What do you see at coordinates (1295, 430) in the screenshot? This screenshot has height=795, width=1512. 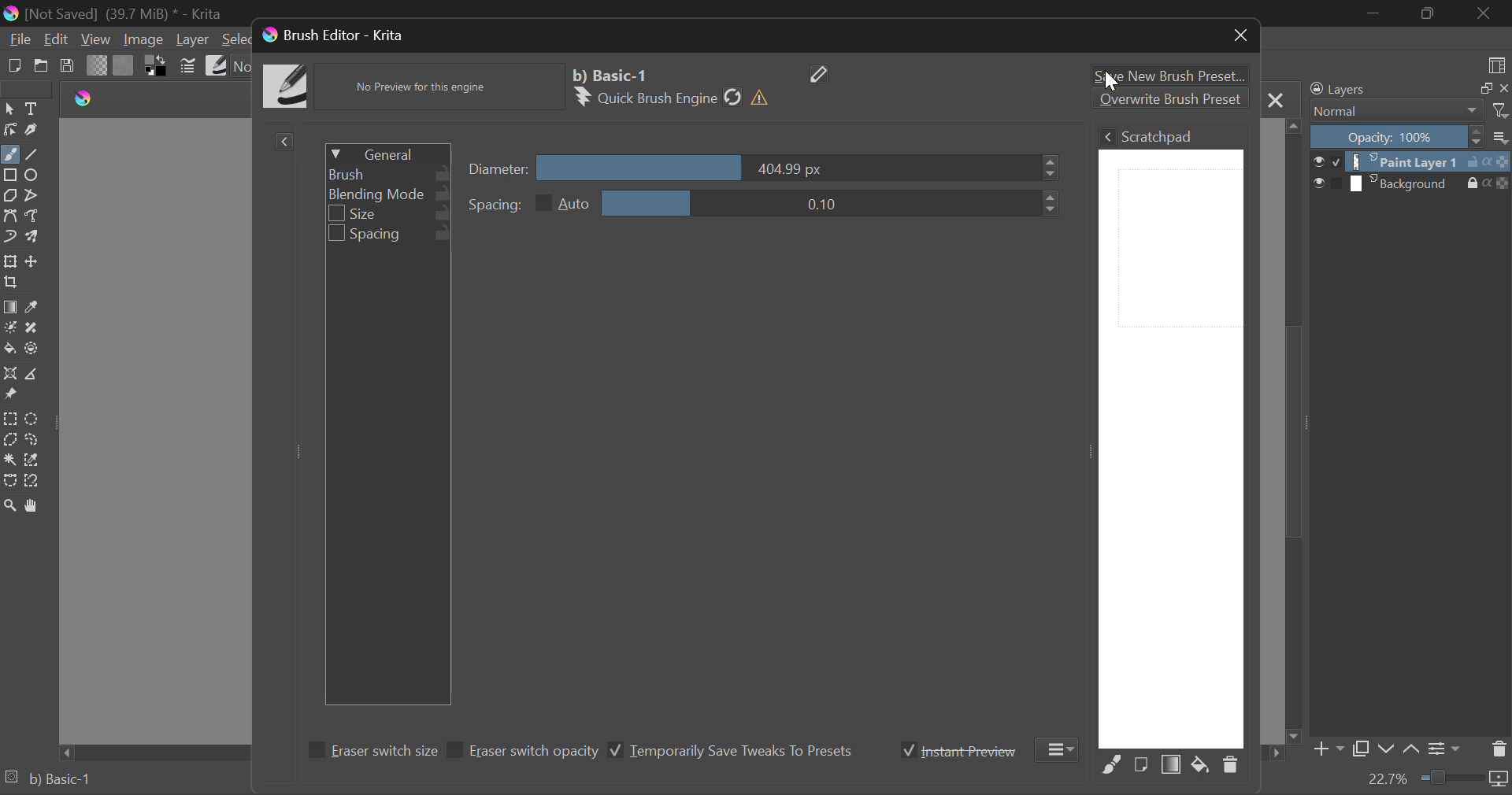 I see `Scroll Bar` at bounding box center [1295, 430].